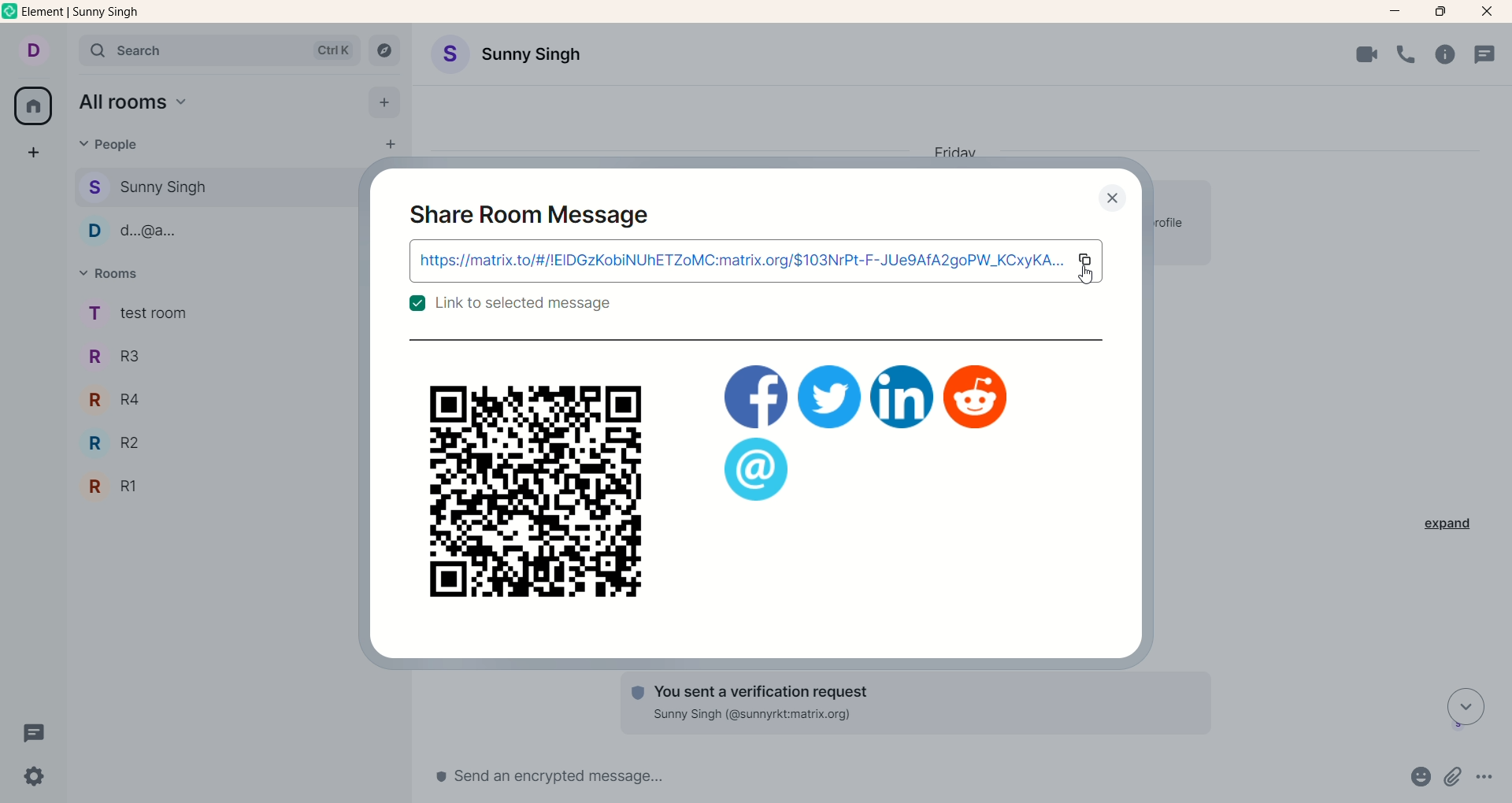 This screenshot has width=1512, height=803. Describe the element at coordinates (830, 396) in the screenshot. I see `` at that location.